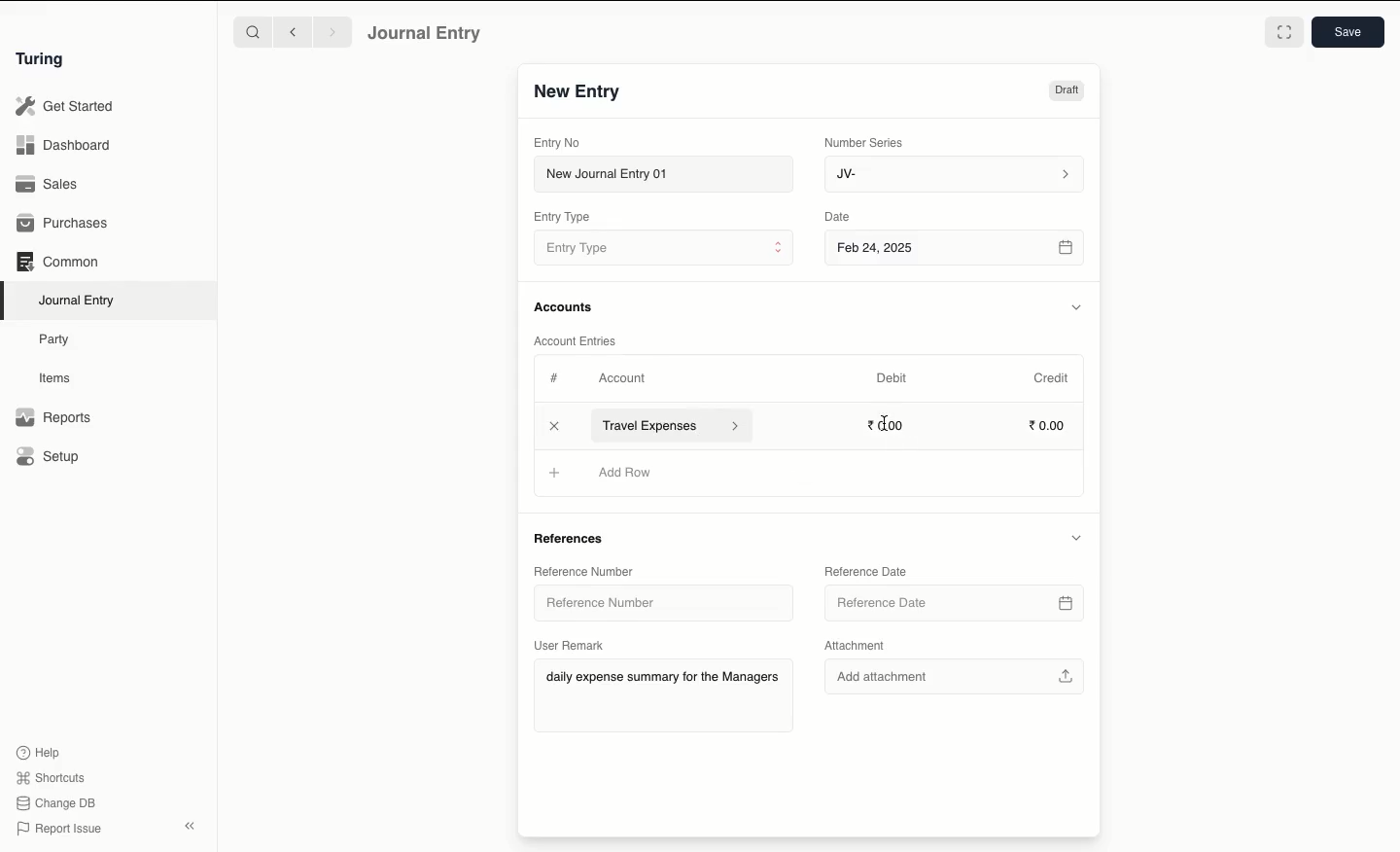 This screenshot has width=1400, height=852. Describe the element at coordinates (53, 417) in the screenshot. I see `Reports` at that location.